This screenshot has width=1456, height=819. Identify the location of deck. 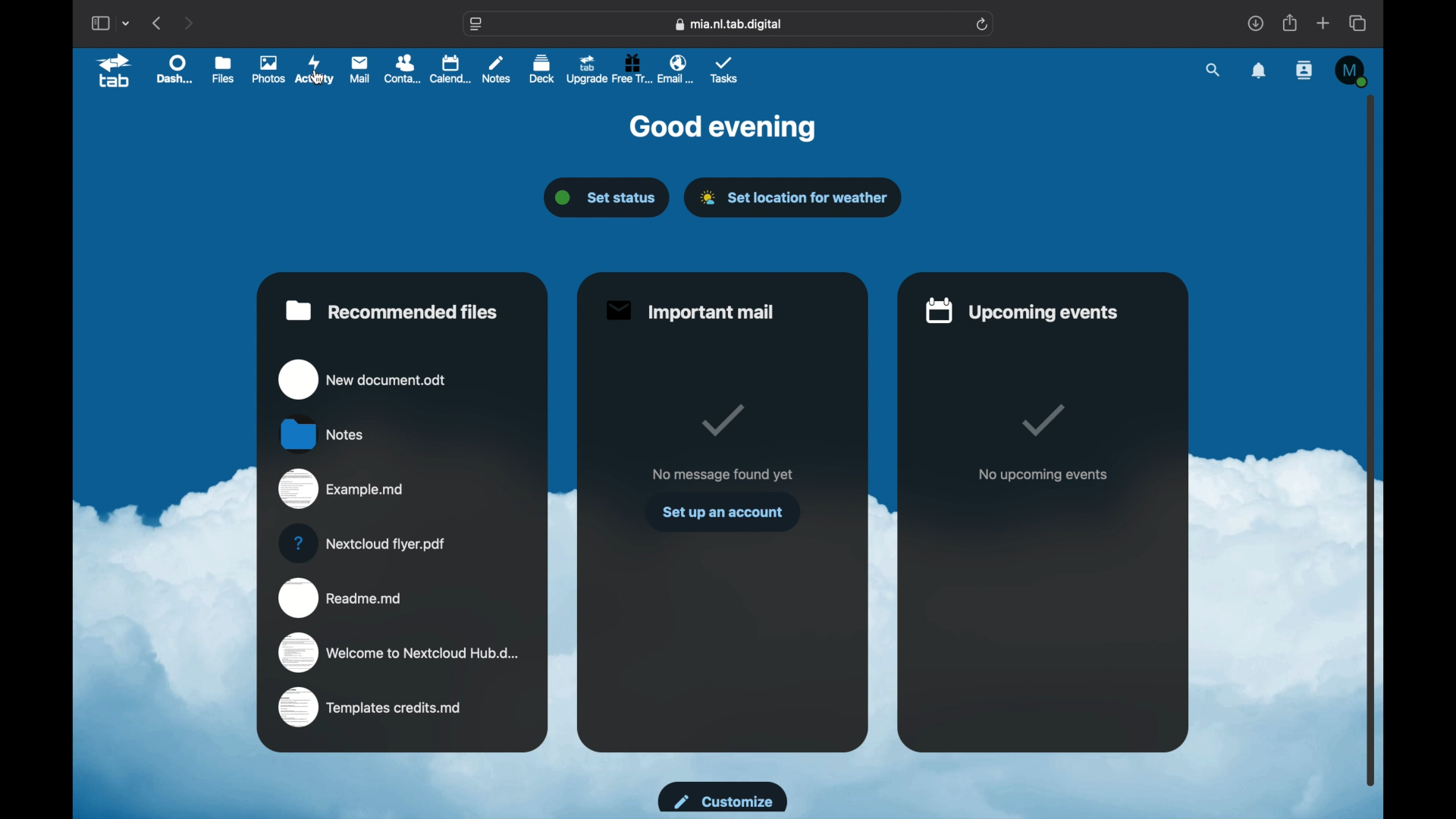
(541, 68).